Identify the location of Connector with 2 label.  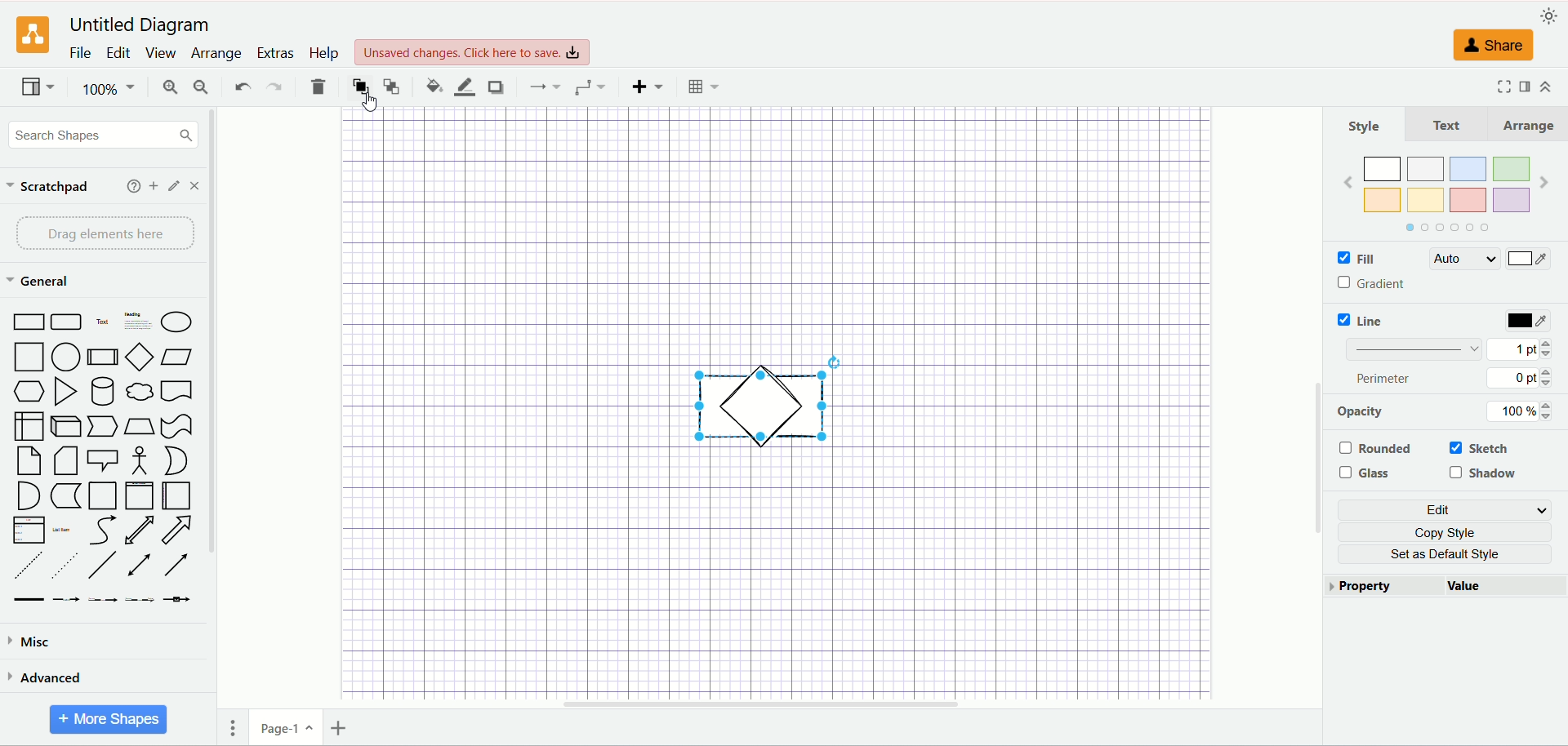
(106, 601).